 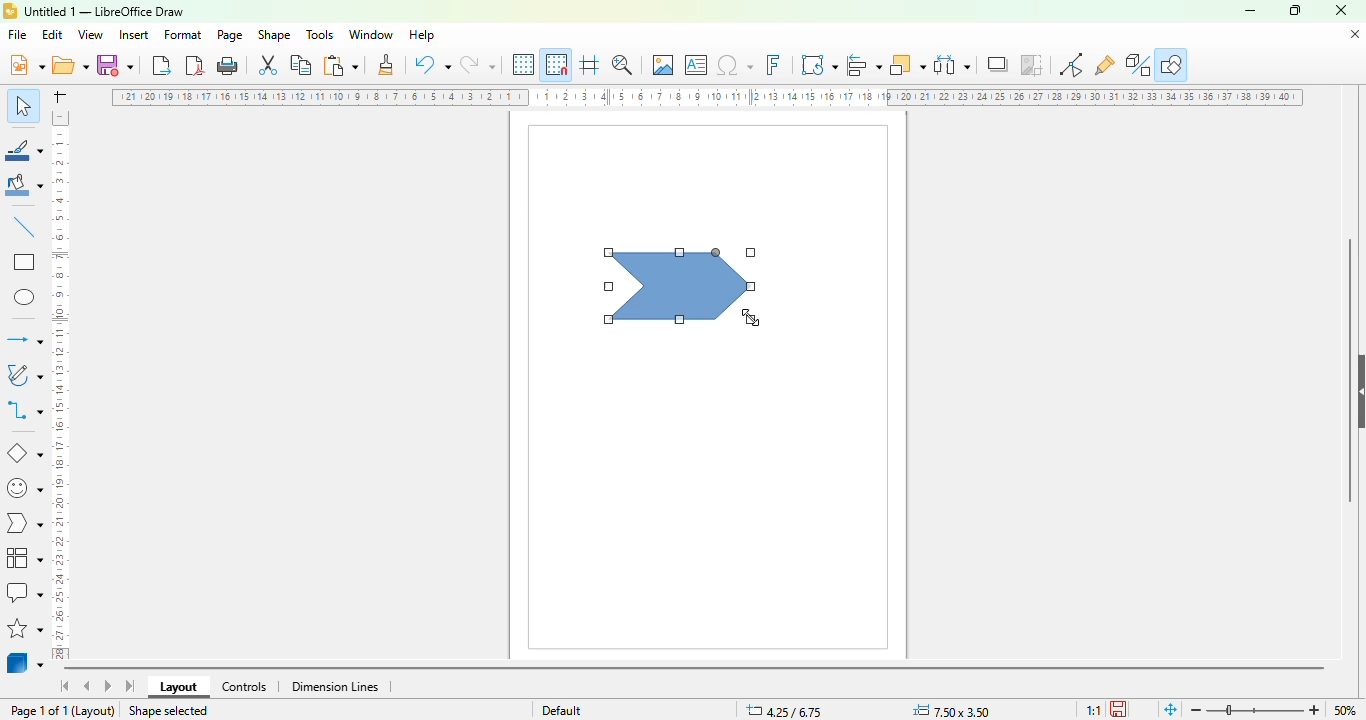 I want to click on ruler, so click(x=59, y=385).